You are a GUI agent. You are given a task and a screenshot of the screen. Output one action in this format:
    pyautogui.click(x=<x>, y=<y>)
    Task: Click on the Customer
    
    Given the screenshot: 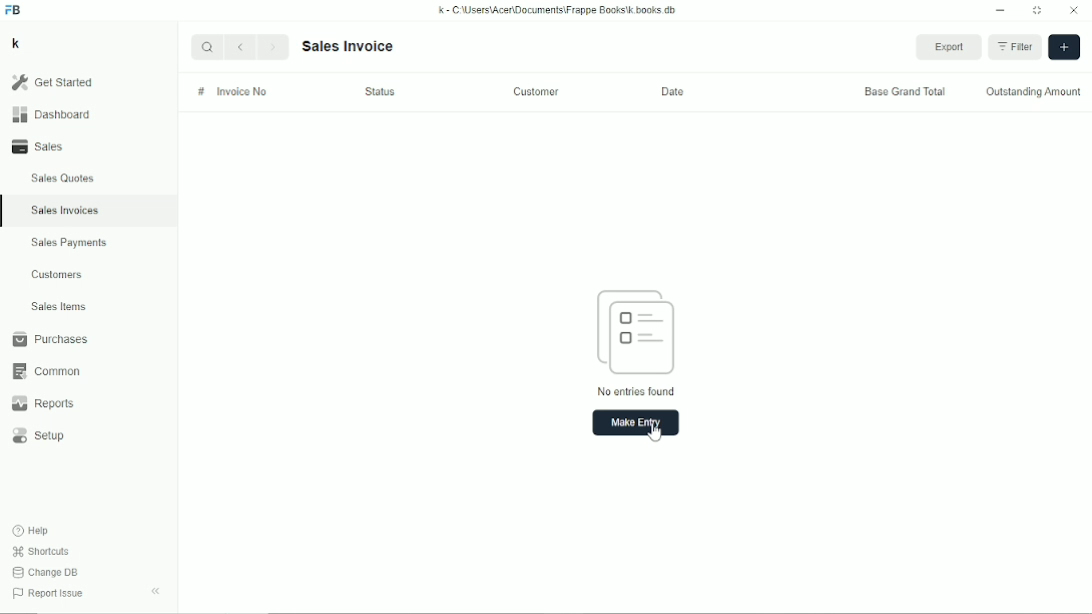 What is the action you would take?
    pyautogui.click(x=538, y=90)
    